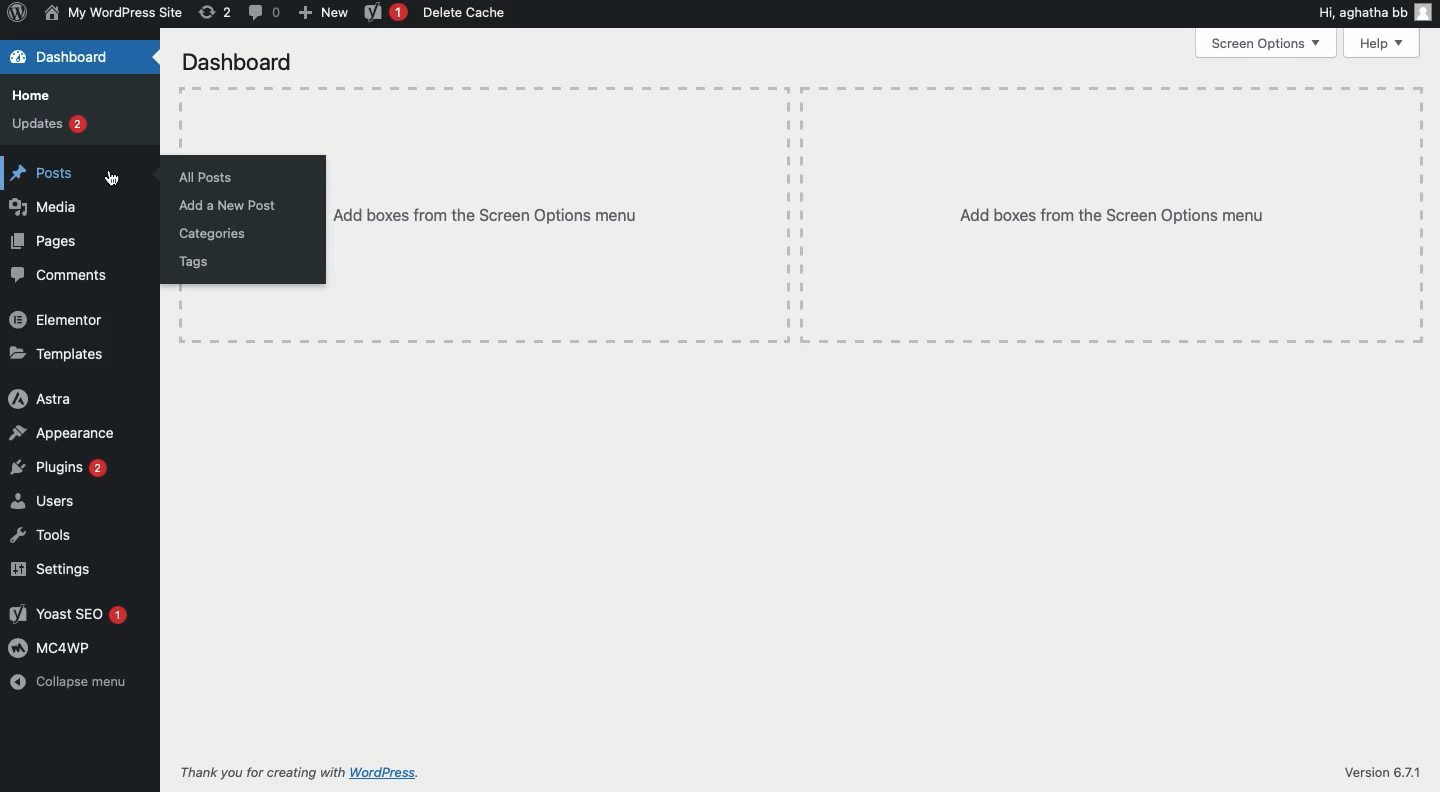  What do you see at coordinates (40, 502) in the screenshot?
I see `Users` at bounding box center [40, 502].